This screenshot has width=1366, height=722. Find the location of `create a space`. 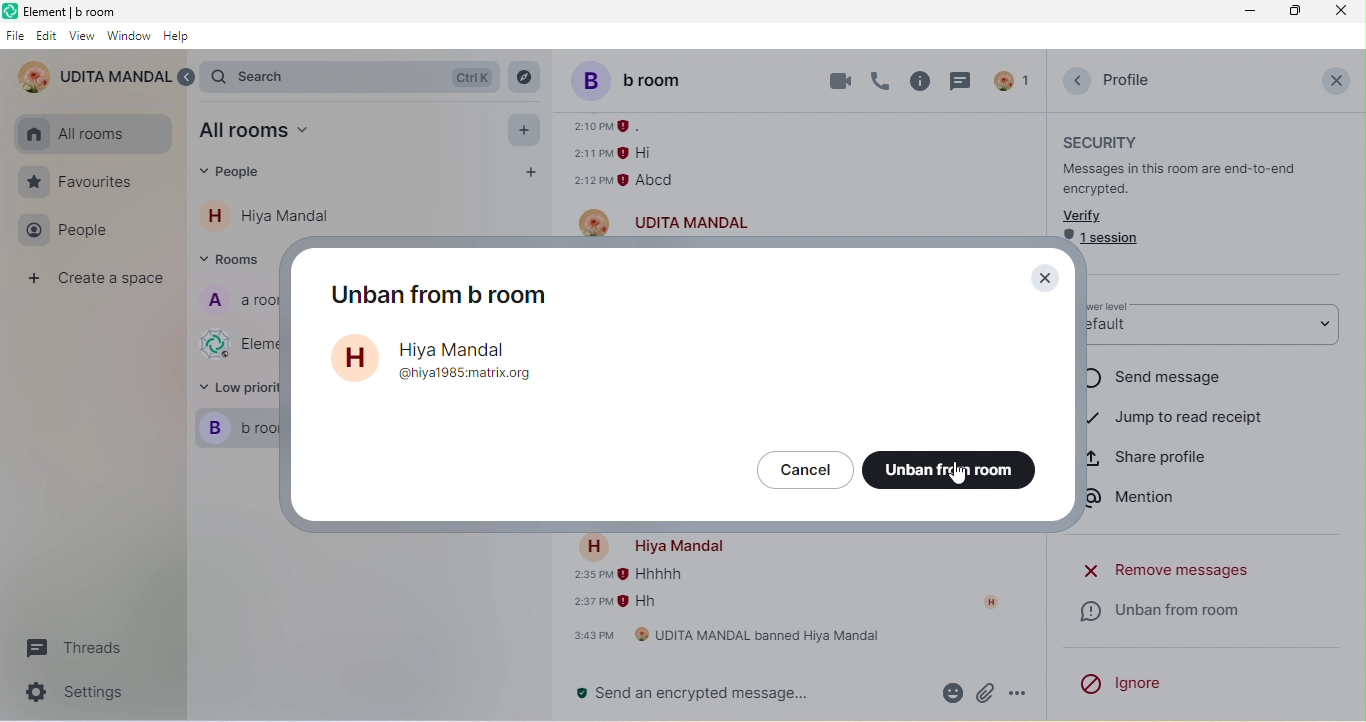

create a space is located at coordinates (100, 281).